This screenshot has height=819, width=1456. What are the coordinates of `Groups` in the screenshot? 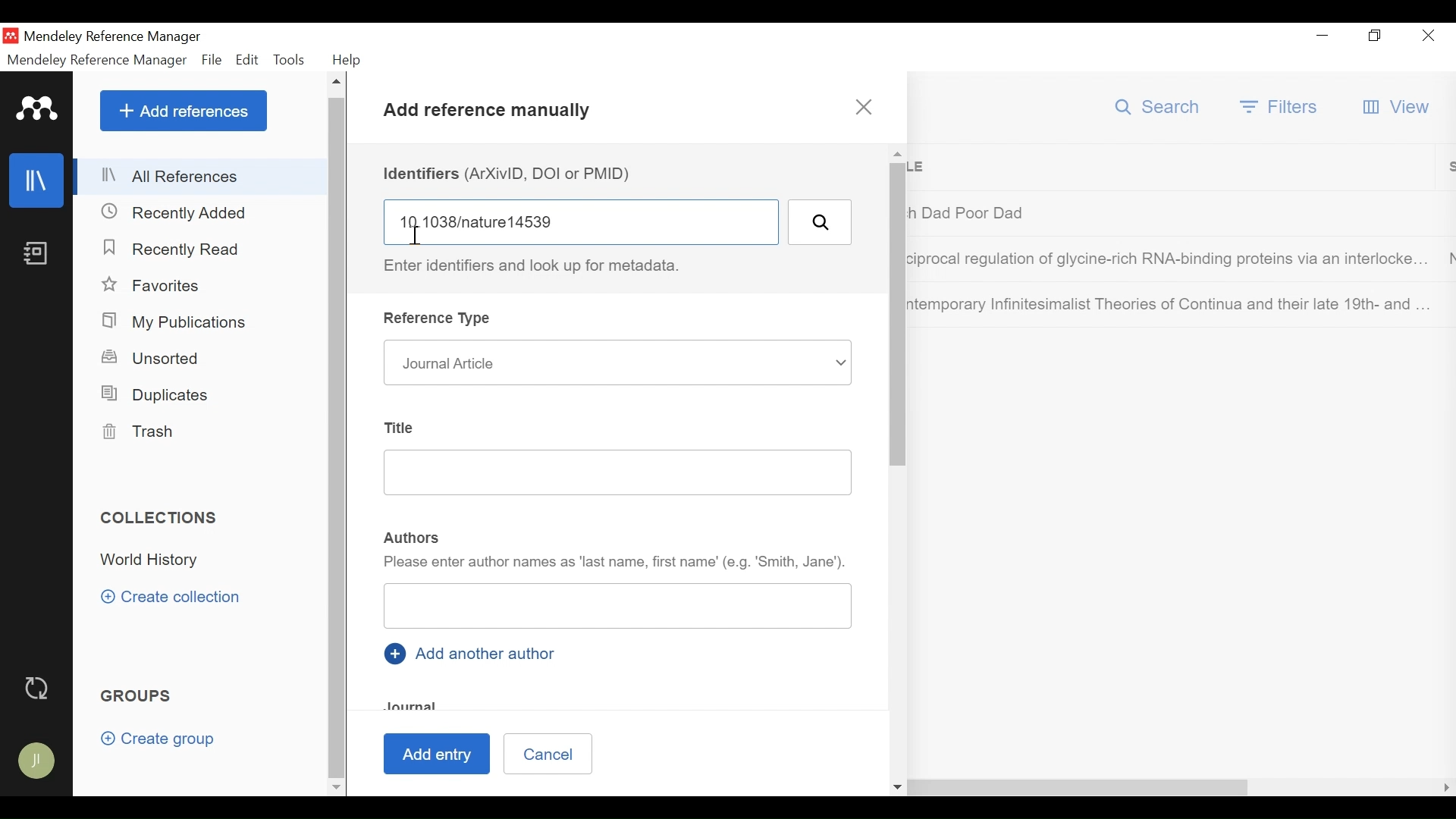 It's located at (140, 696).